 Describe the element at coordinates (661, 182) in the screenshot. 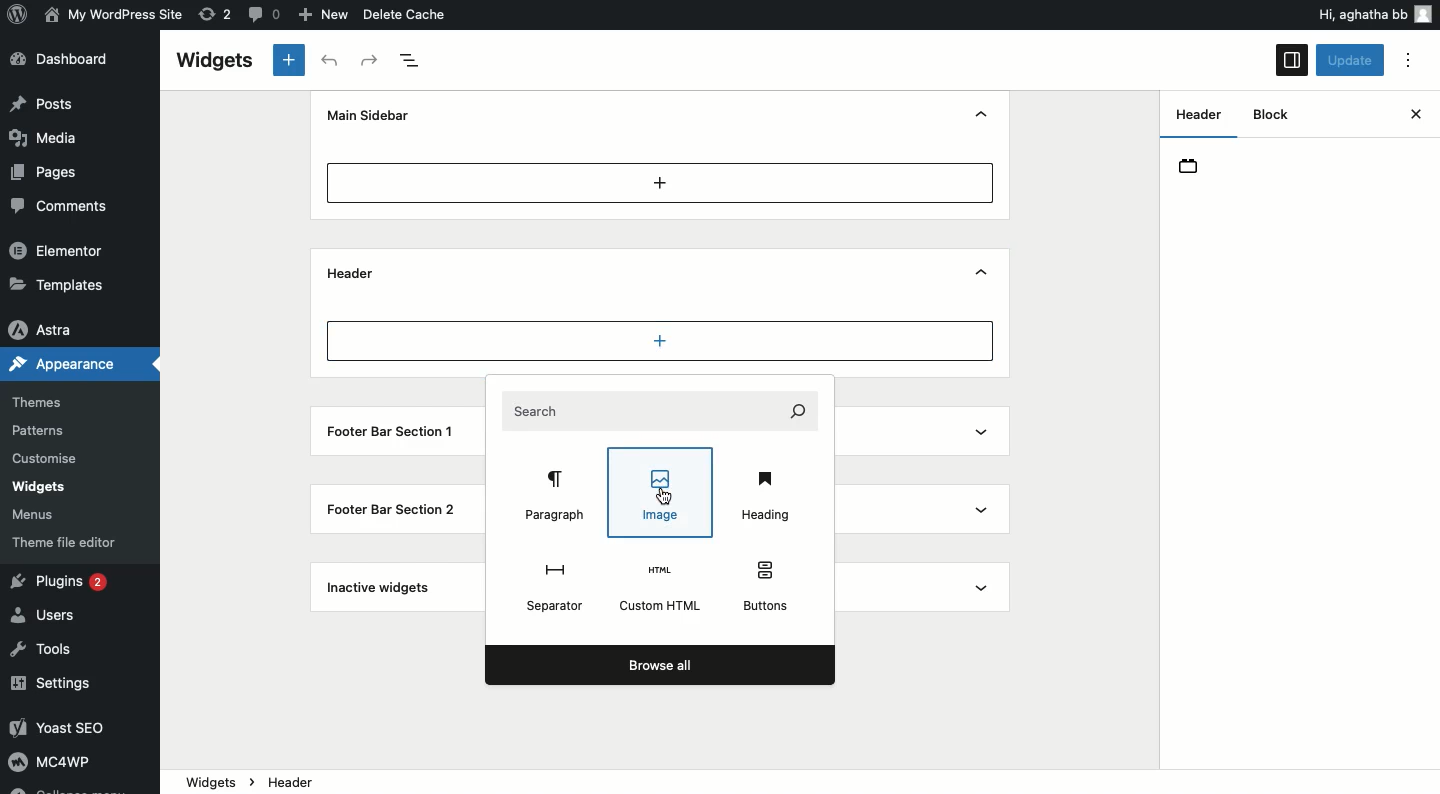

I see `Add` at that location.